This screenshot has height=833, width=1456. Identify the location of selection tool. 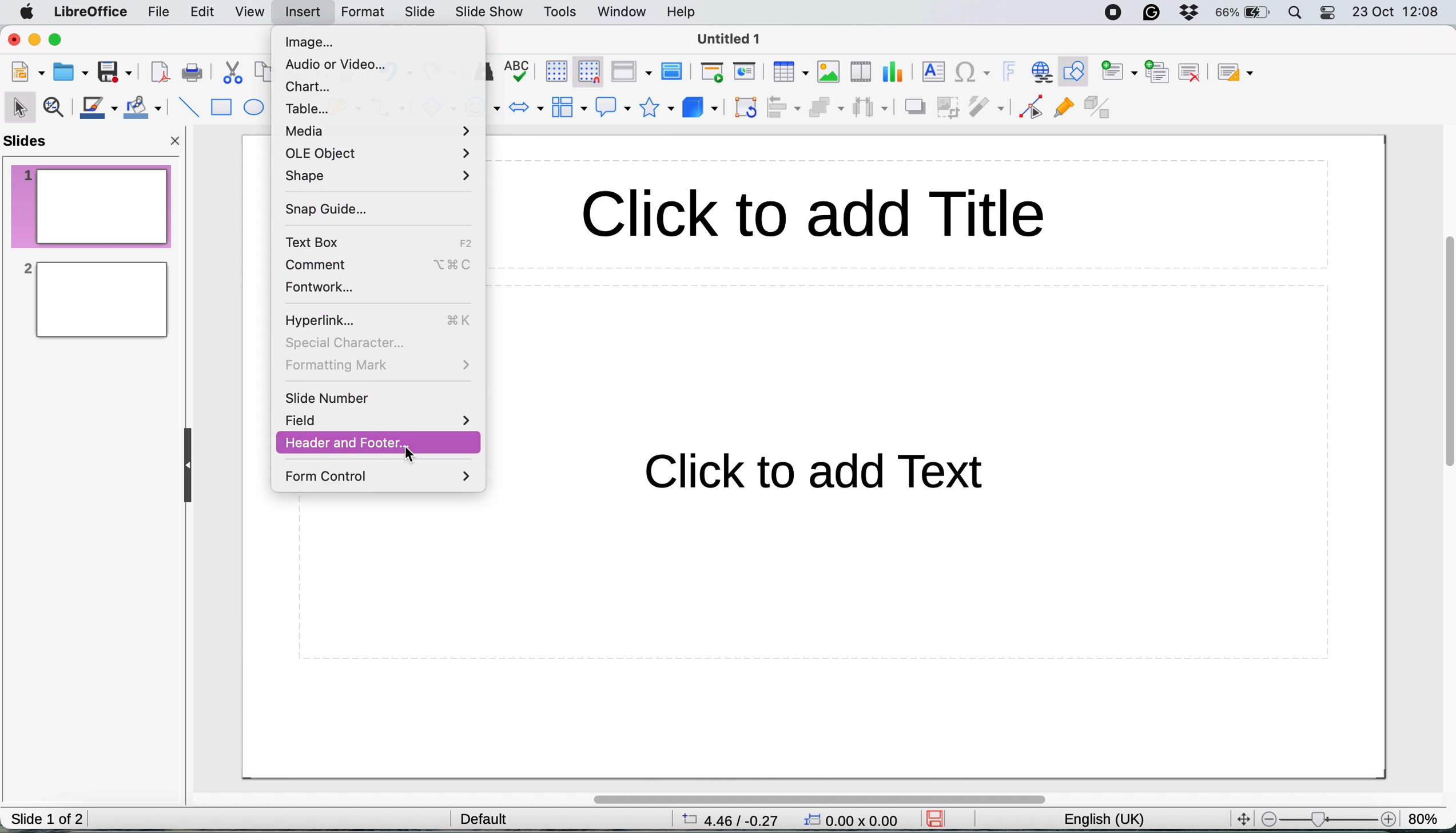
(21, 106).